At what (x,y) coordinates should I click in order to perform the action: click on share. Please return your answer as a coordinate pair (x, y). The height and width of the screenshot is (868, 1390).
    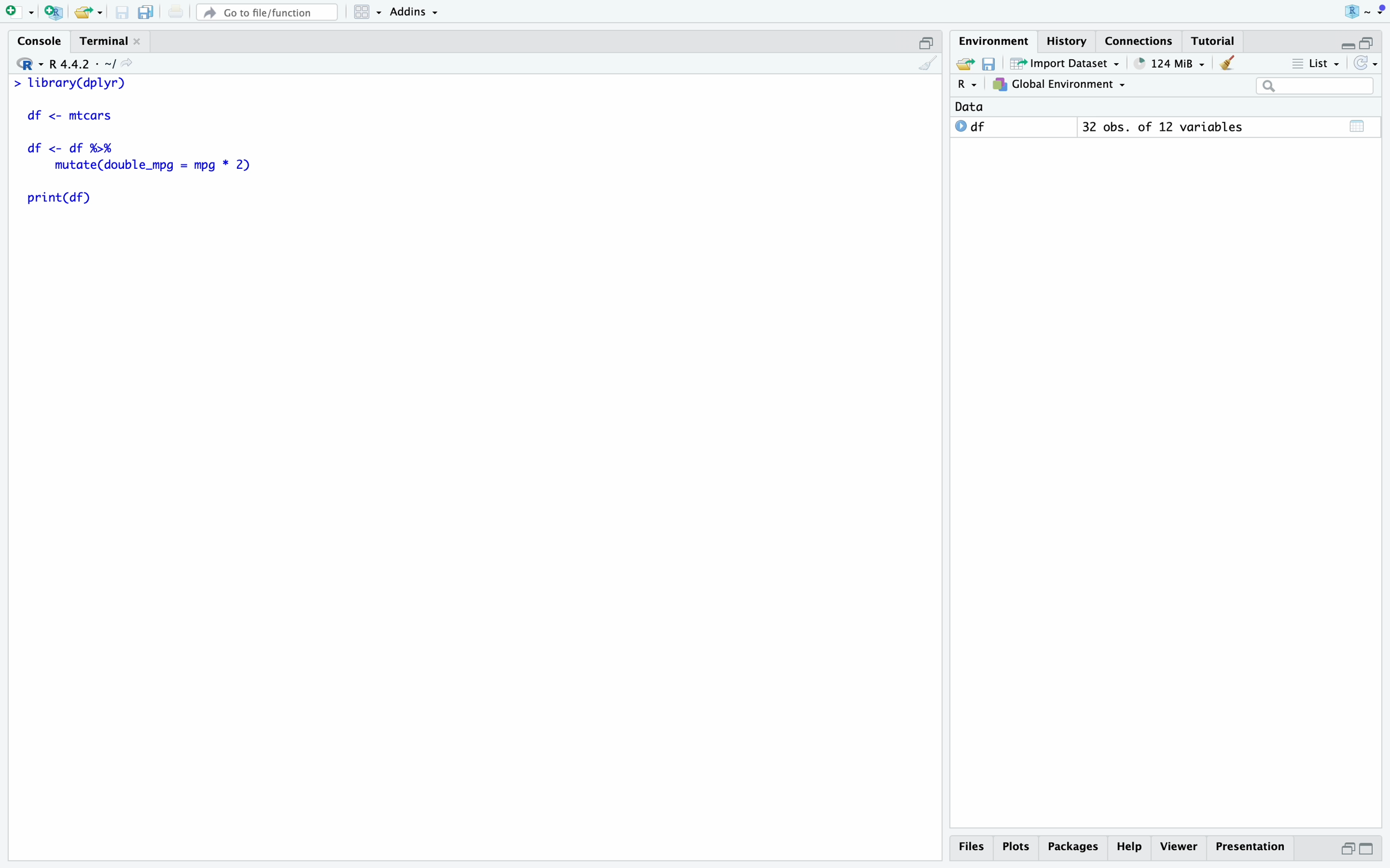
    Looking at the image, I should click on (964, 62).